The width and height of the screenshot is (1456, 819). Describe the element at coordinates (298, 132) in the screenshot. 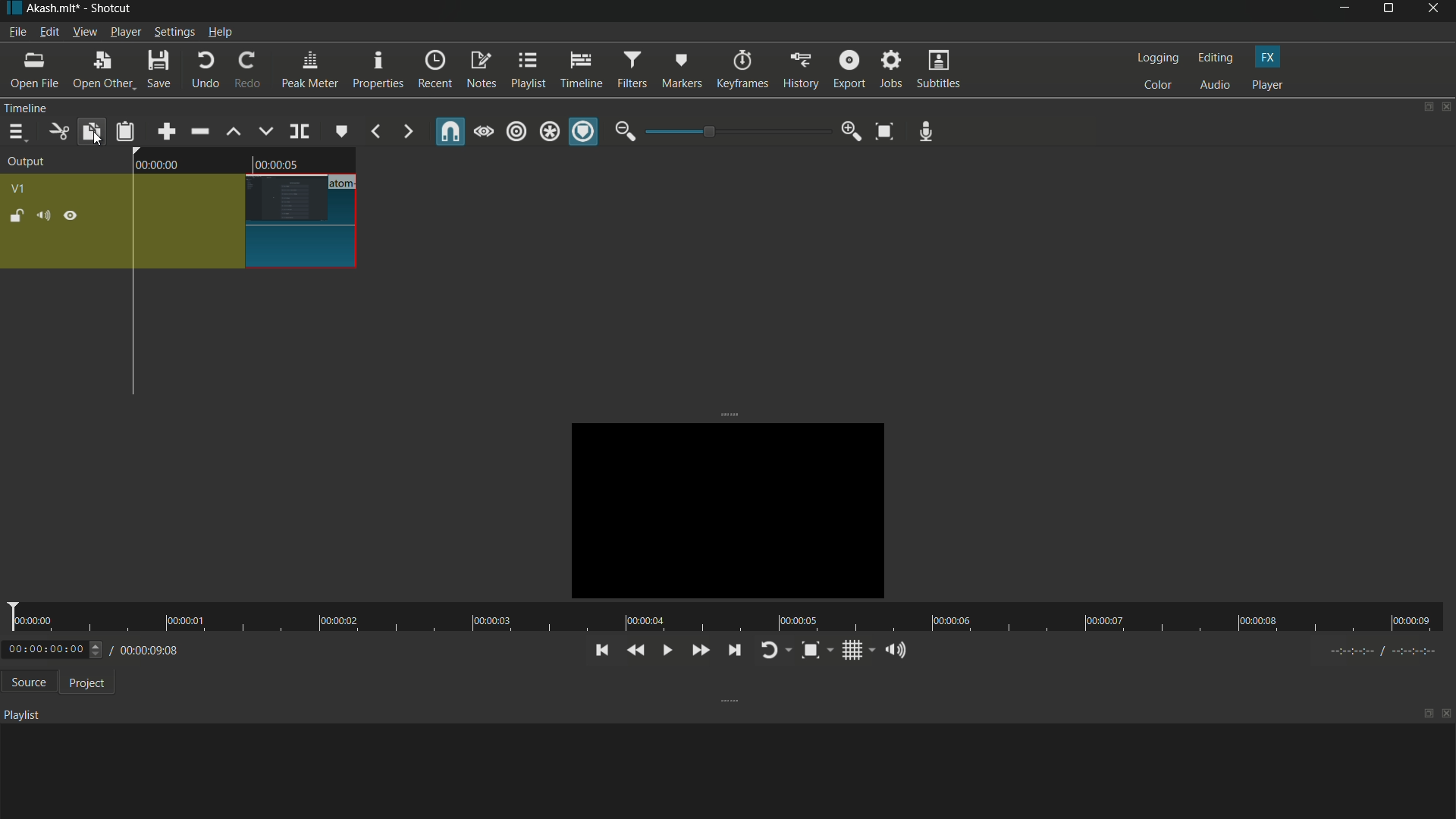

I see `split as playhead` at that location.